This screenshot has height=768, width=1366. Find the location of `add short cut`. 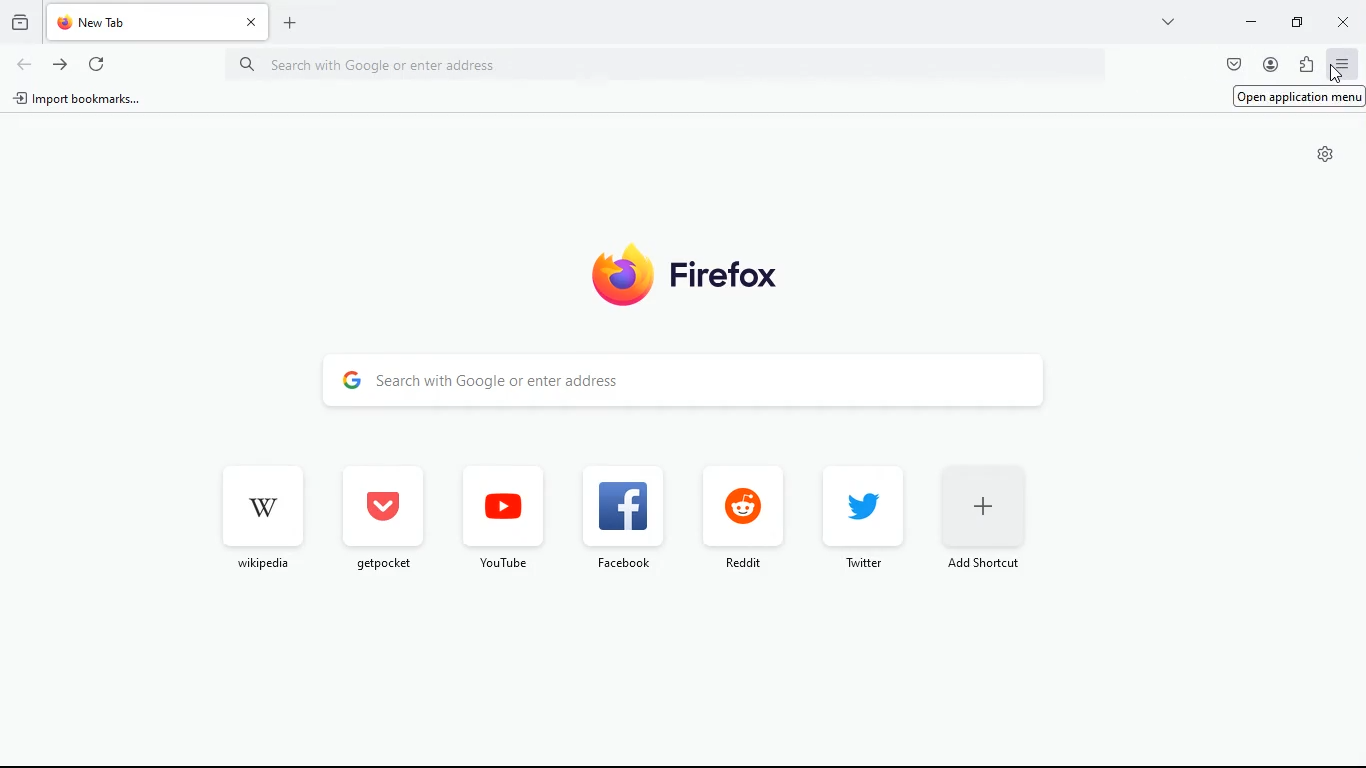

add short cut is located at coordinates (984, 523).